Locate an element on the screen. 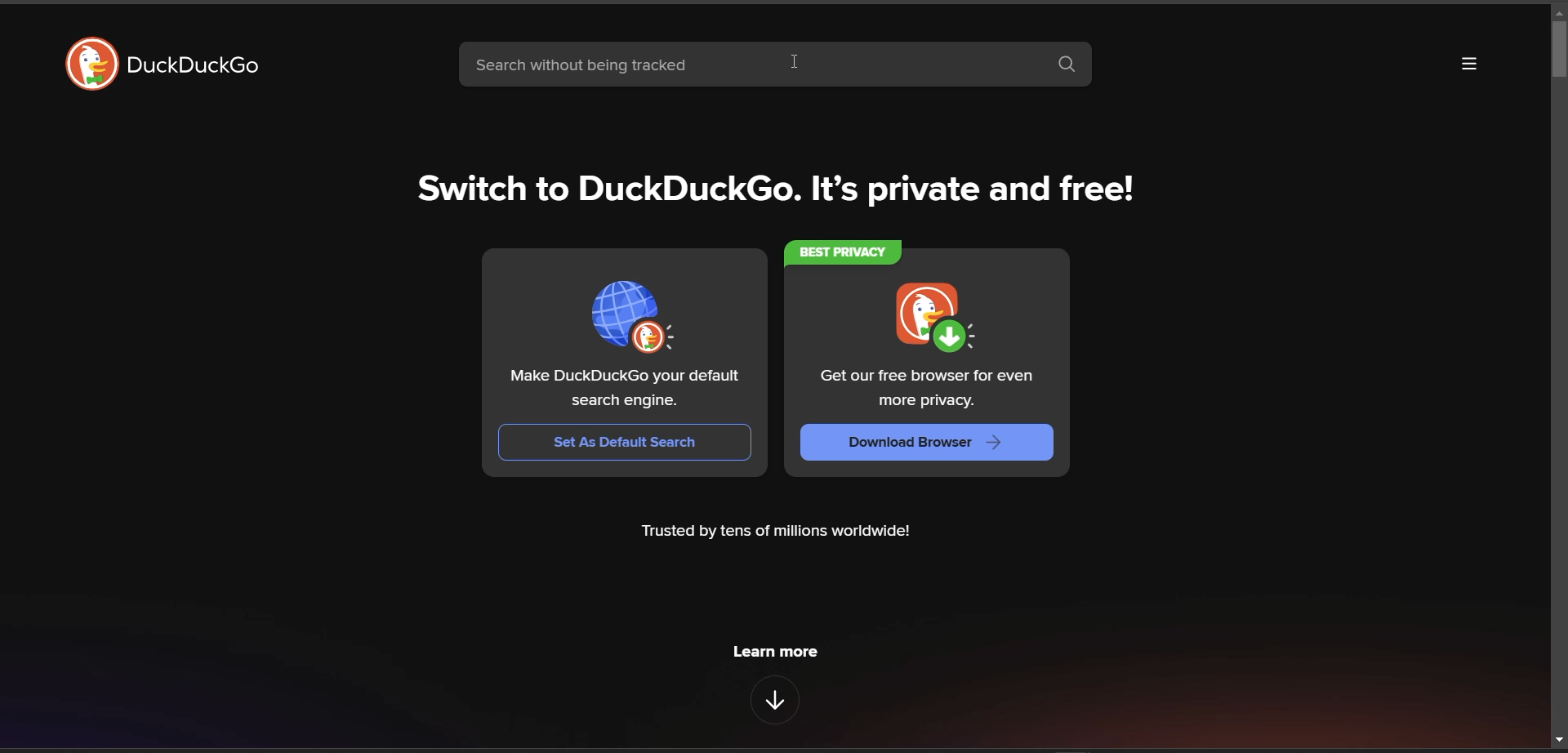 This screenshot has height=753, width=1568. search bar is located at coordinates (746, 64).